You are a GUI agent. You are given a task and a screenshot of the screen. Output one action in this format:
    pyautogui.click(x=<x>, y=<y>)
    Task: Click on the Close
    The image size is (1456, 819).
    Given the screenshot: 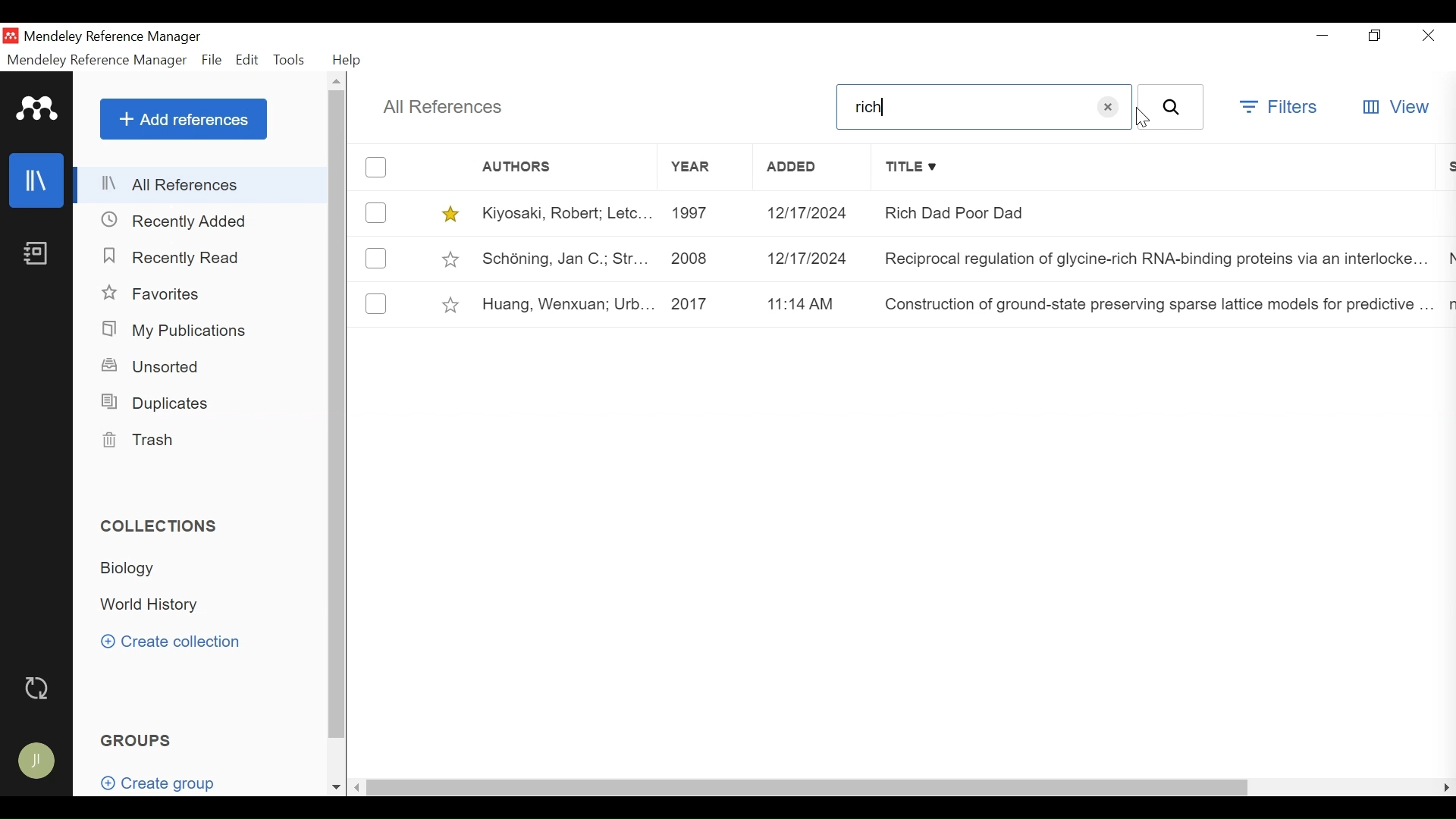 What is the action you would take?
    pyautogui.click(x=1427, y=35)
    